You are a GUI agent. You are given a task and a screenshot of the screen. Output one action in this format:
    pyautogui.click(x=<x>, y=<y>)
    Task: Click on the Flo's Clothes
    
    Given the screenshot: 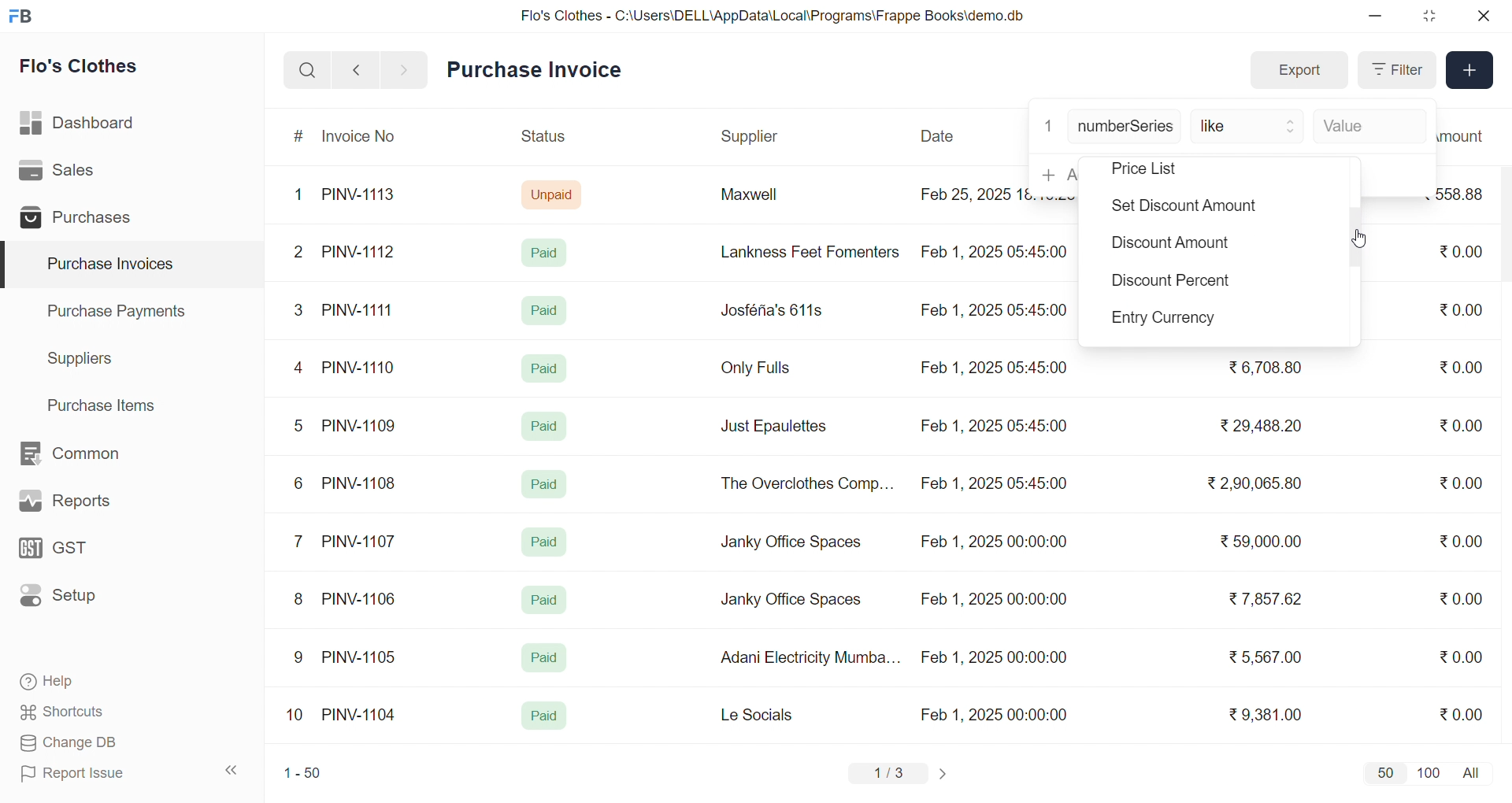 What is the action you would take?
    pyautogui.click(x=90, y=68)
    